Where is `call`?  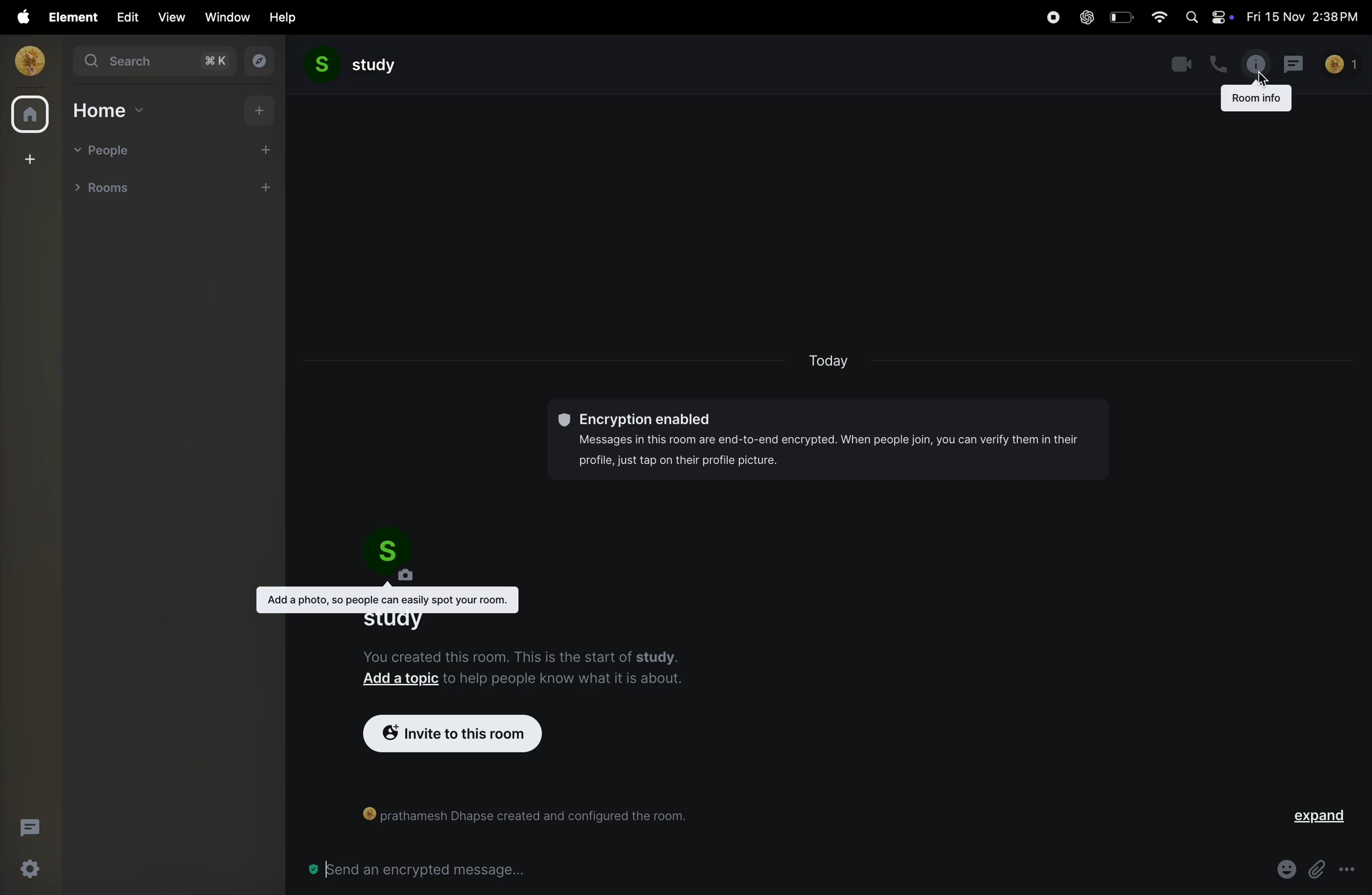
call is located at coordinates (1220, 65).